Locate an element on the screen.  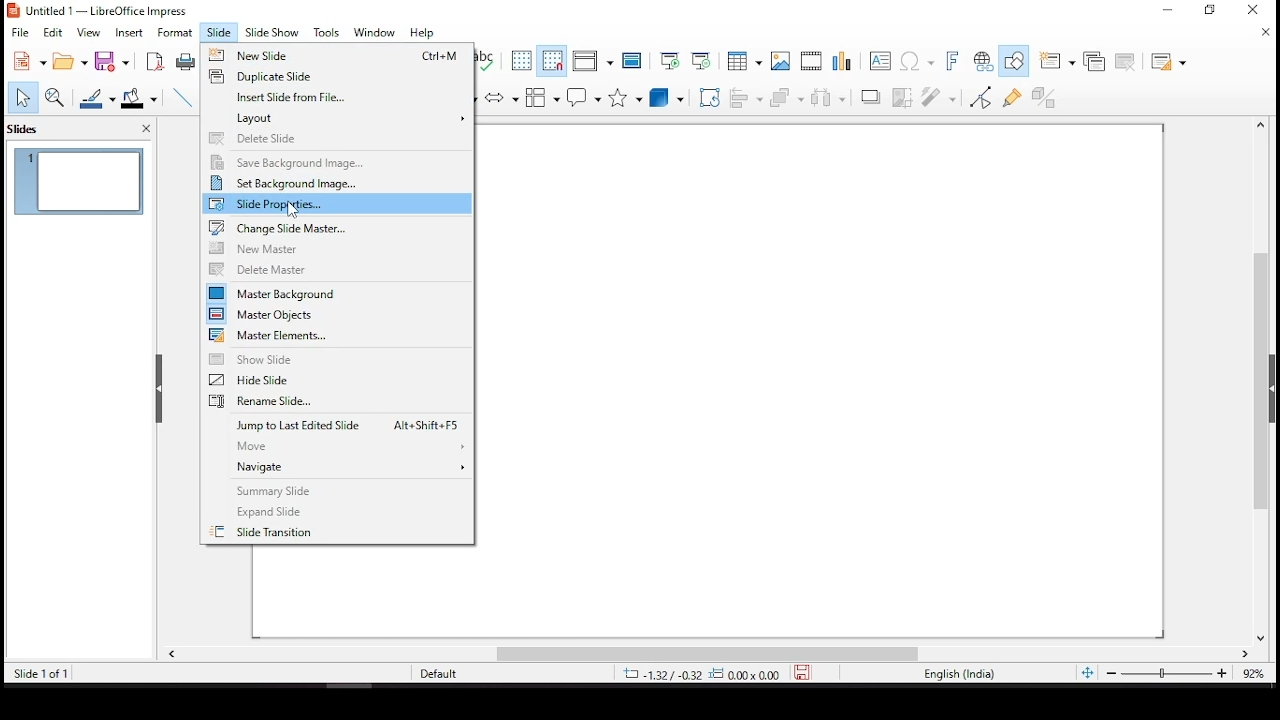
delete slide is located at coordinates (1123, 60).